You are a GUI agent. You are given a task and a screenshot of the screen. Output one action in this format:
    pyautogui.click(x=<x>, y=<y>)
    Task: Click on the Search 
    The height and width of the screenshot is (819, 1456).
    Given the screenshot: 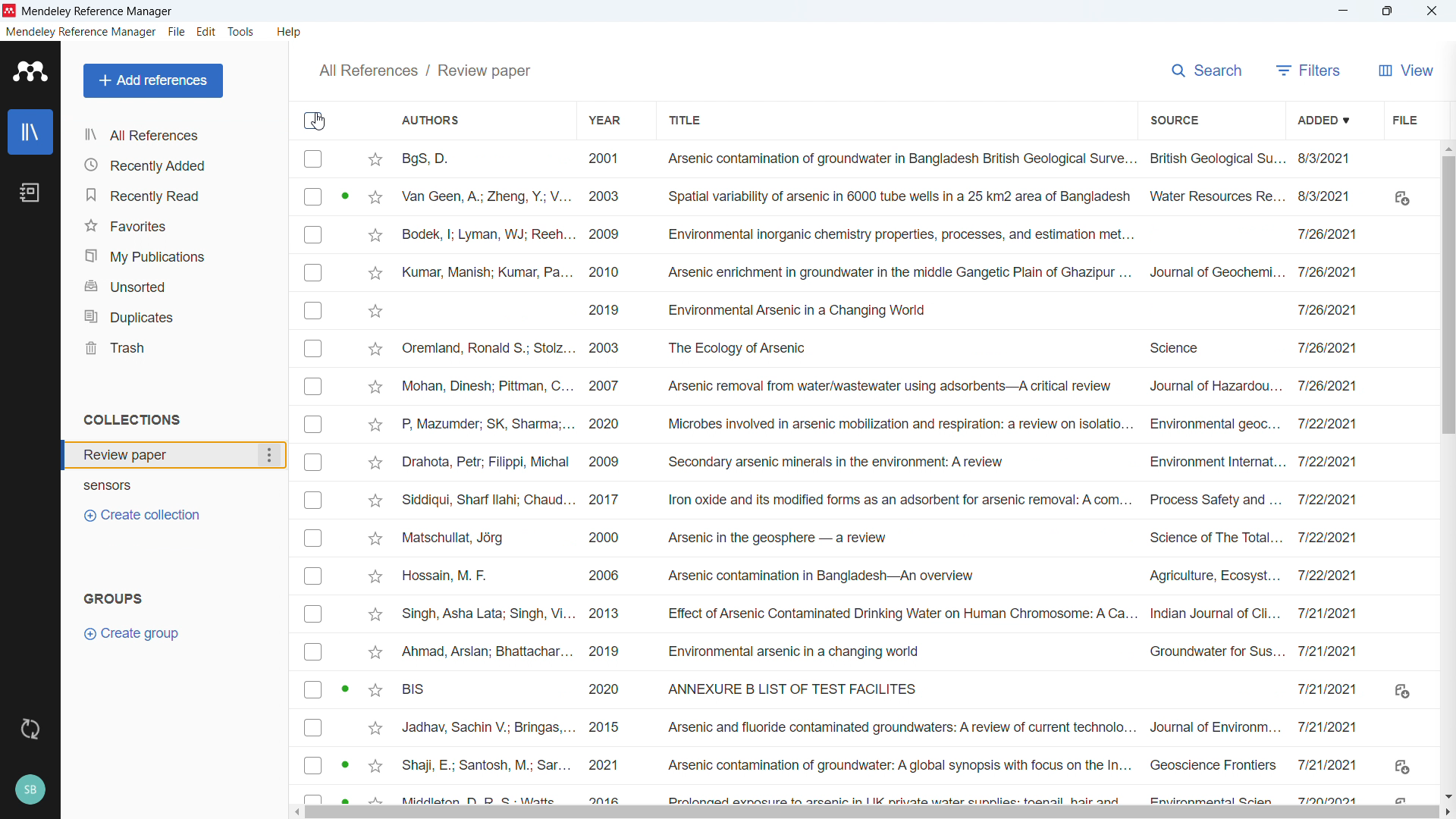 What is the action you would take?
    pyautogui.click(x=1207, y=68)
    